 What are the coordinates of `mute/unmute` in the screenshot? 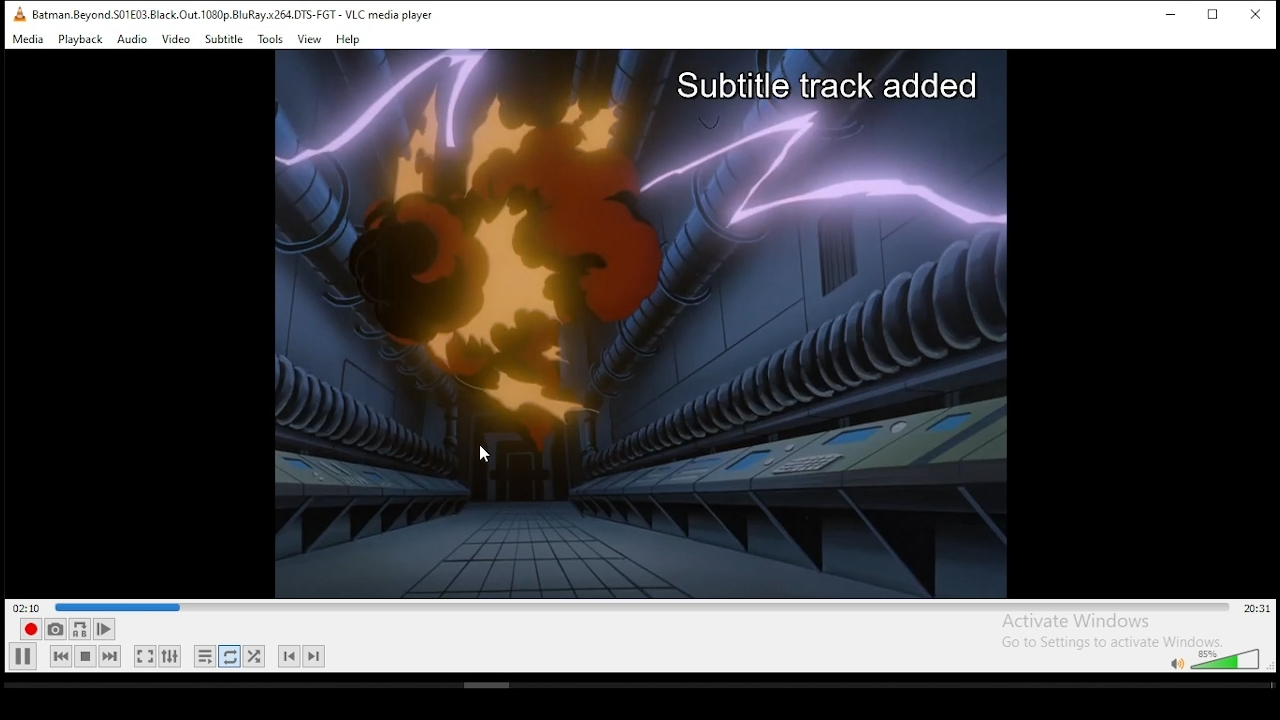 It's located at (1176, 663).